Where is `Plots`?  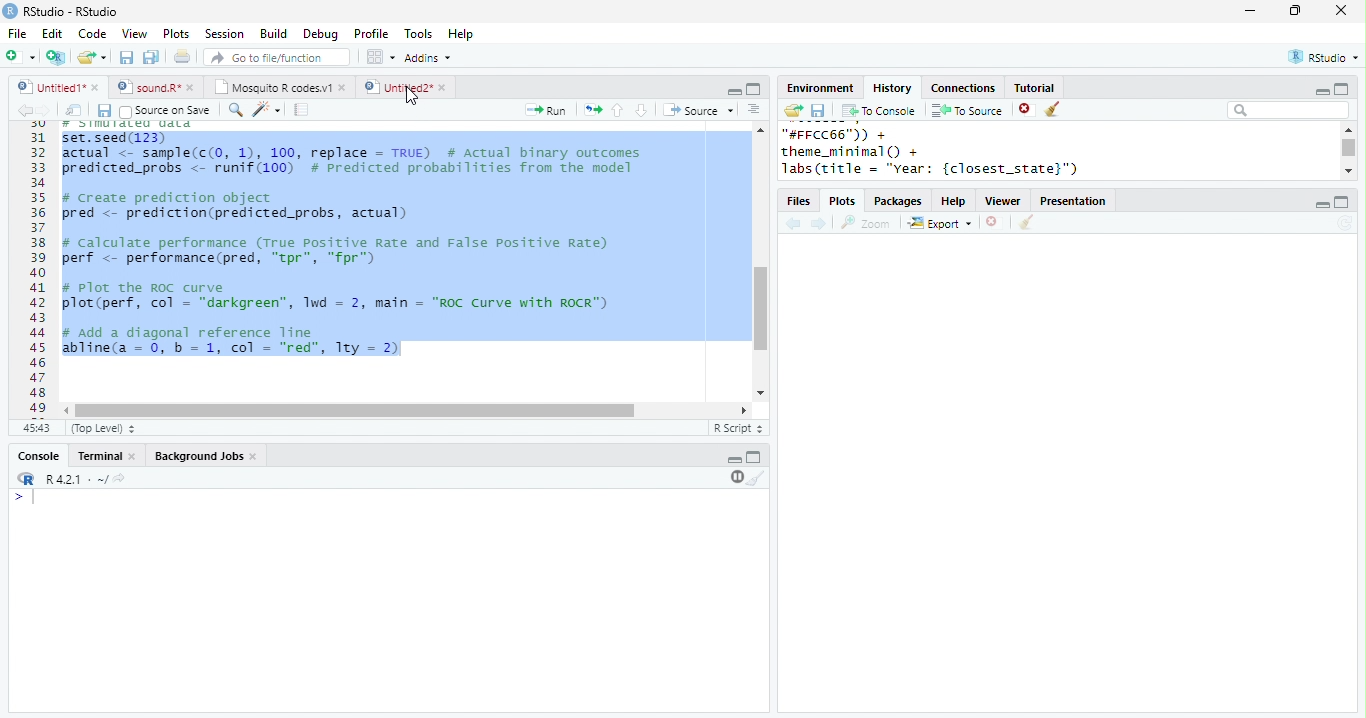 Plots is located at coordinates (844, 202).